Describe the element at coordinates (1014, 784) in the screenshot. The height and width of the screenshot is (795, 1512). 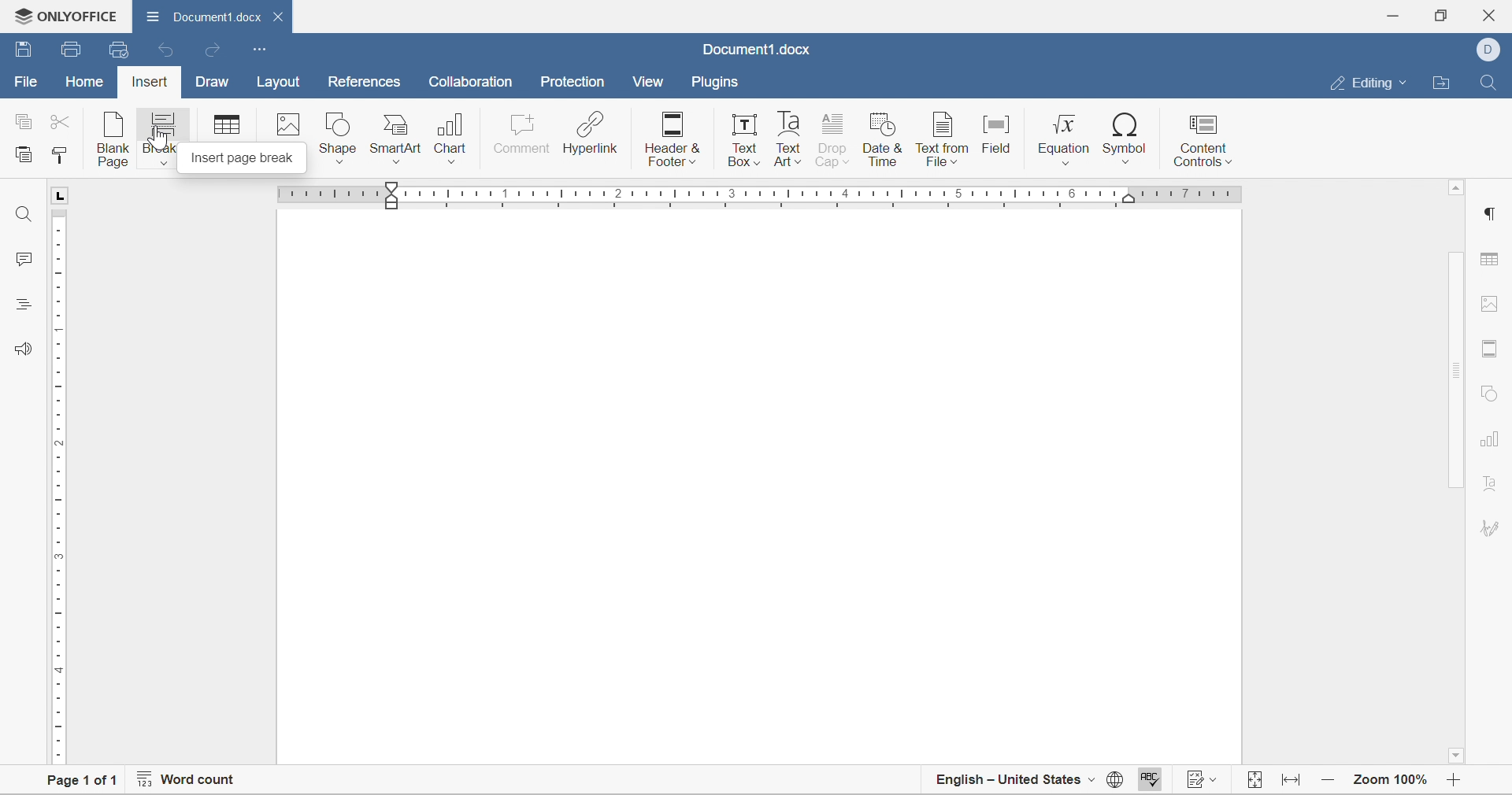
I see `English - United States` at that location.